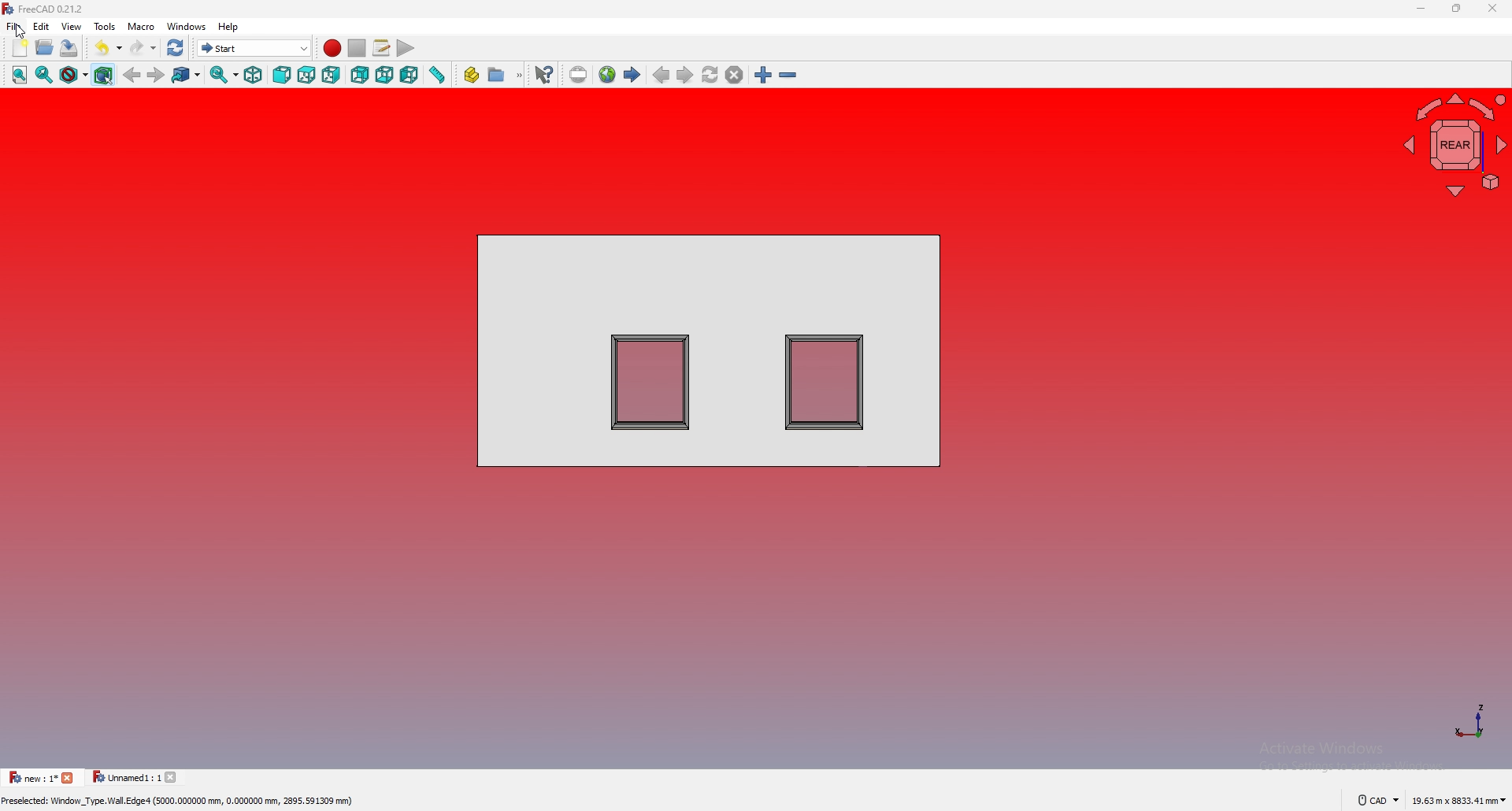 This screenshot has height=811, width=1512. I want to click on next page, so click(685, 75).